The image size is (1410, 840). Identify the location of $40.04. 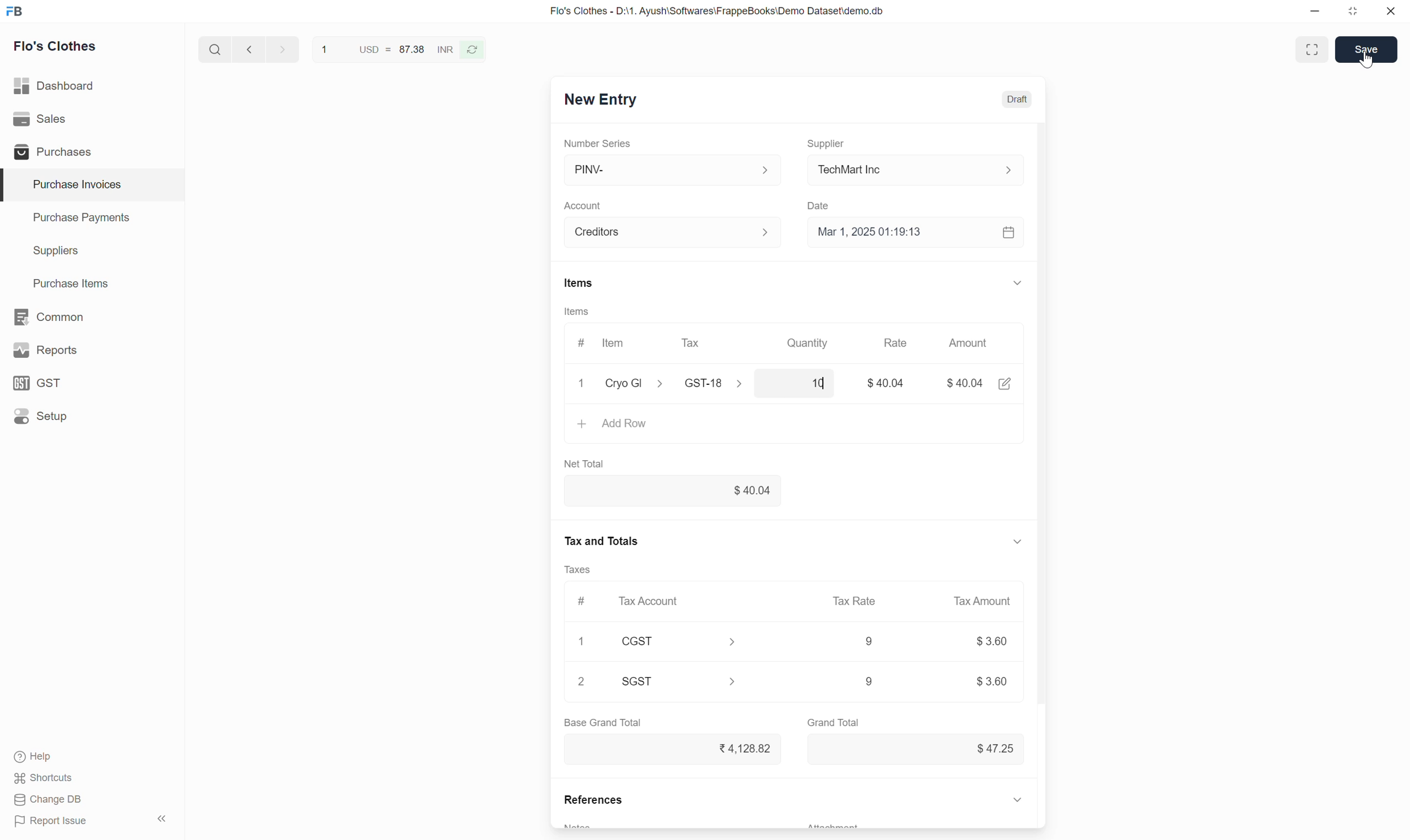
(673, 491).